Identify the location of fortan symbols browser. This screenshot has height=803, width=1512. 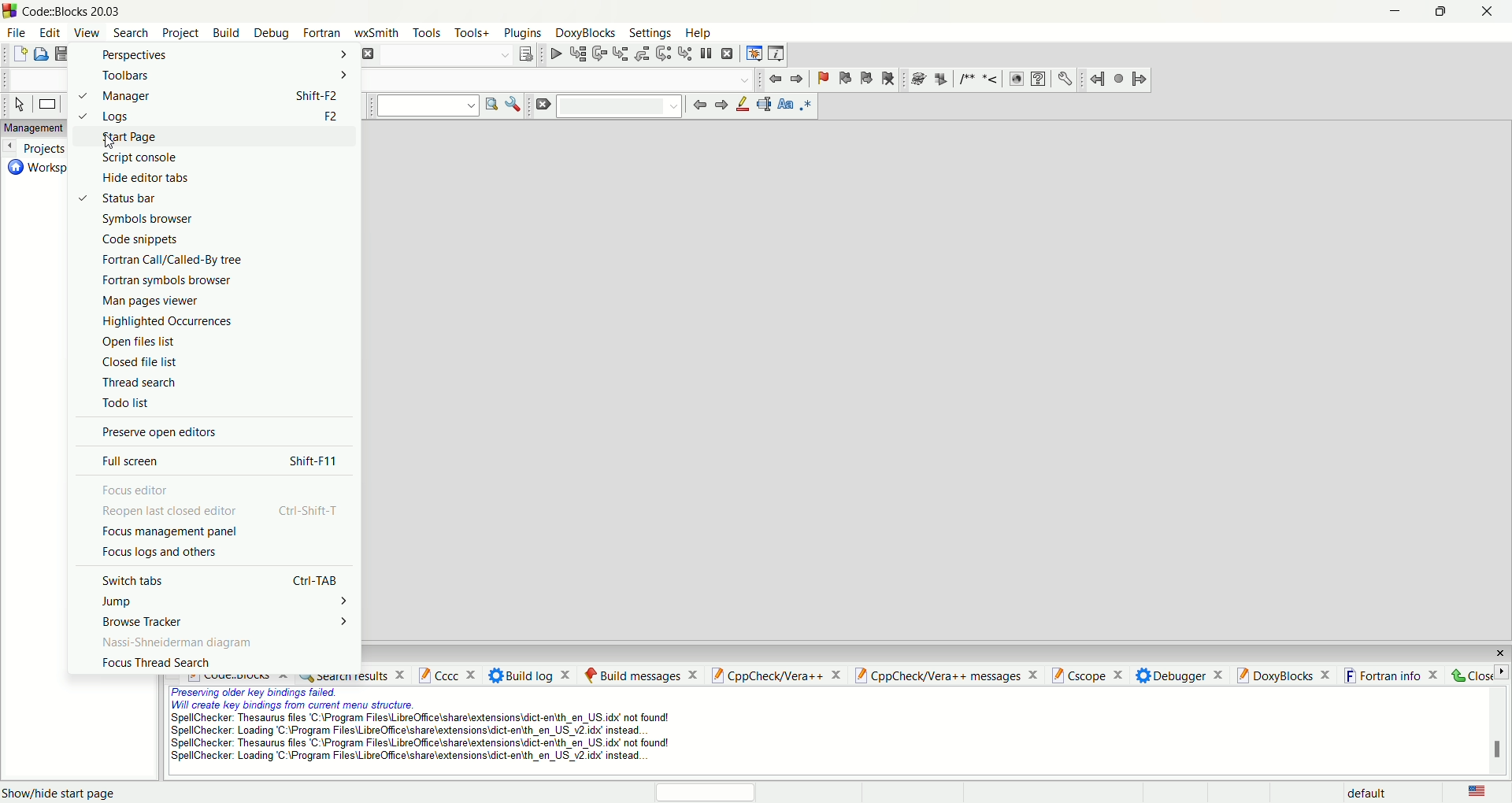
(175, 279).